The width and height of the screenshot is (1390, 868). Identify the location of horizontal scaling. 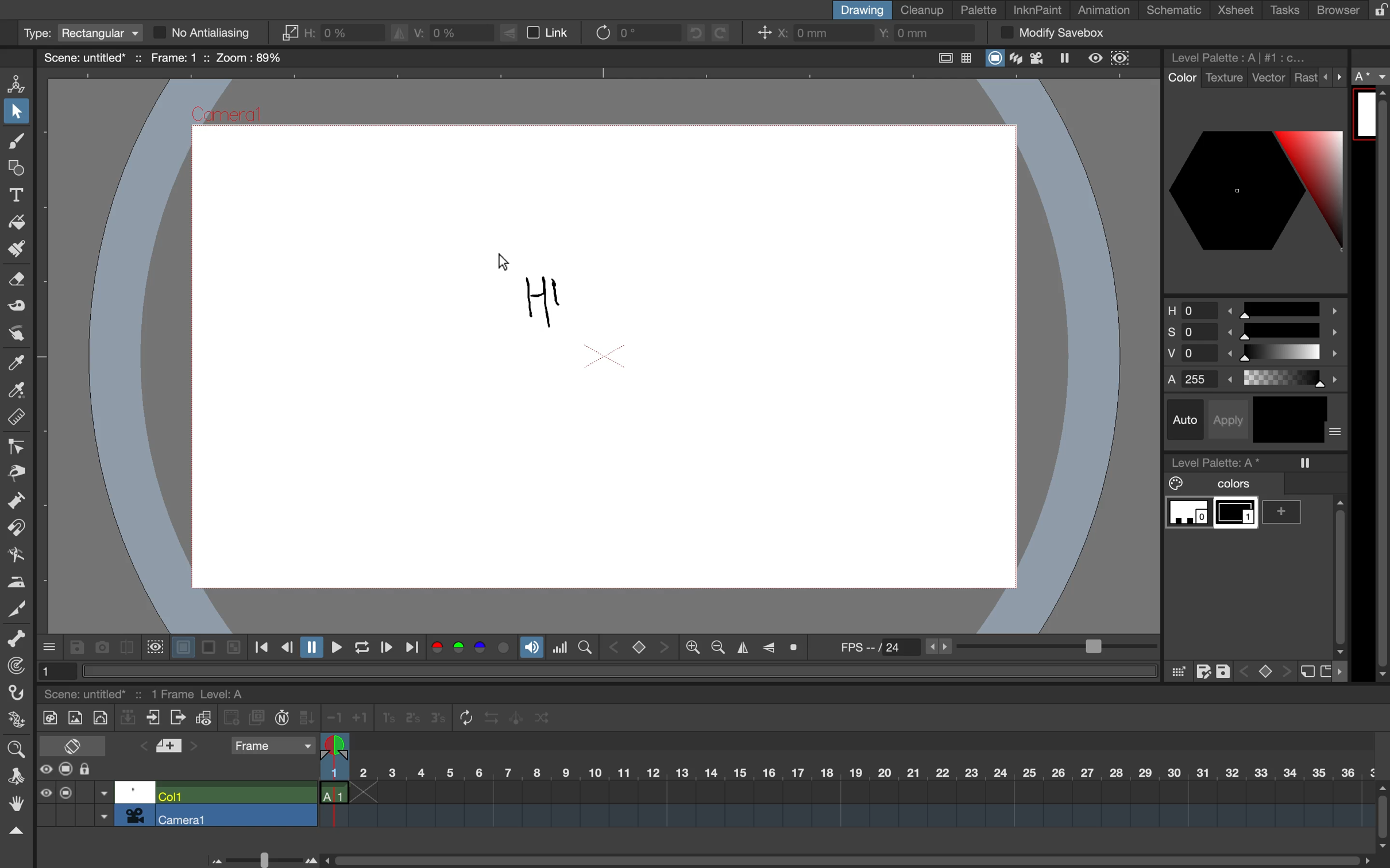
(332, 33).